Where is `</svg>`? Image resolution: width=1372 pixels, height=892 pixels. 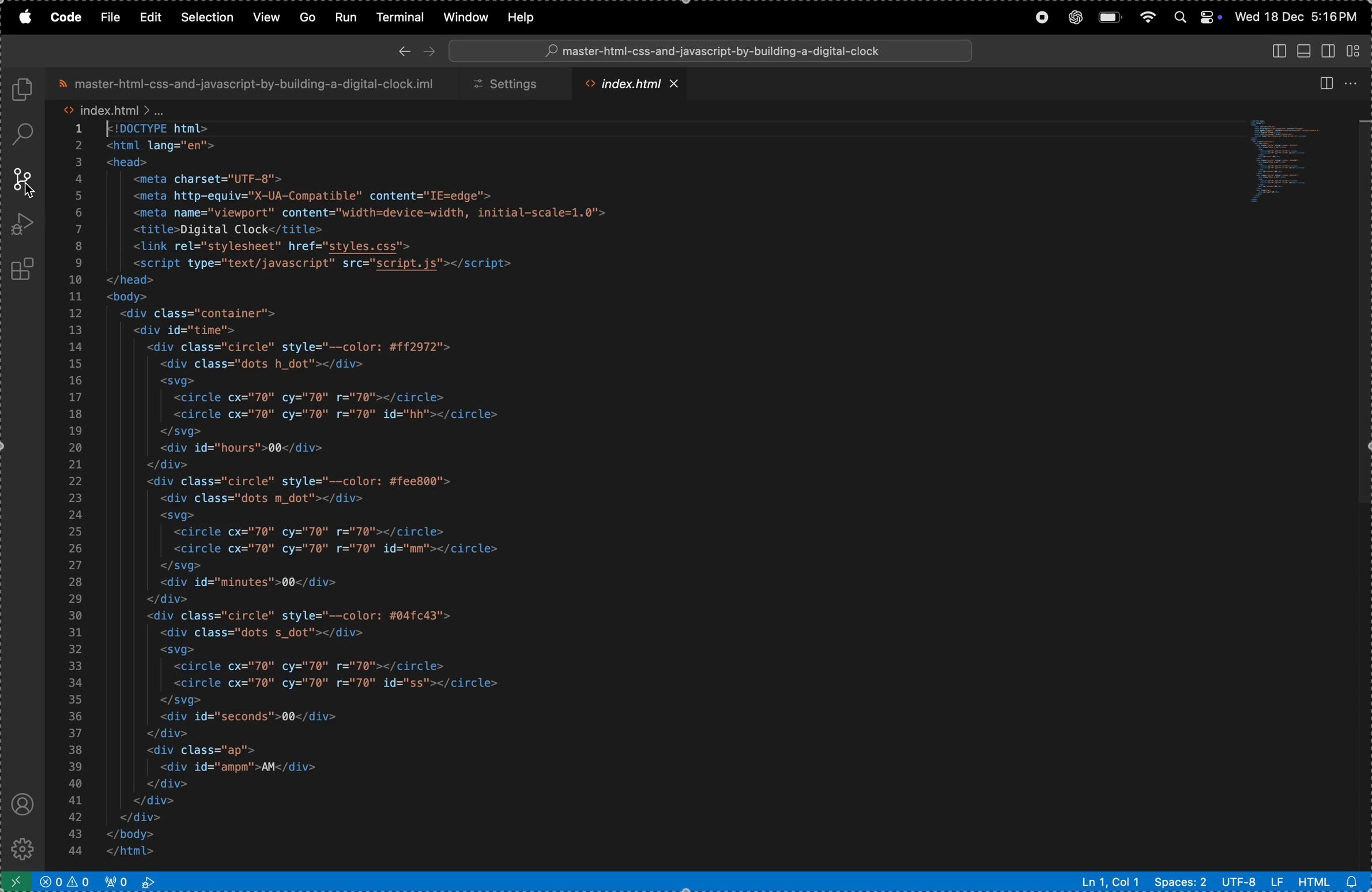 </svg> is located at coordinates (180, 432).